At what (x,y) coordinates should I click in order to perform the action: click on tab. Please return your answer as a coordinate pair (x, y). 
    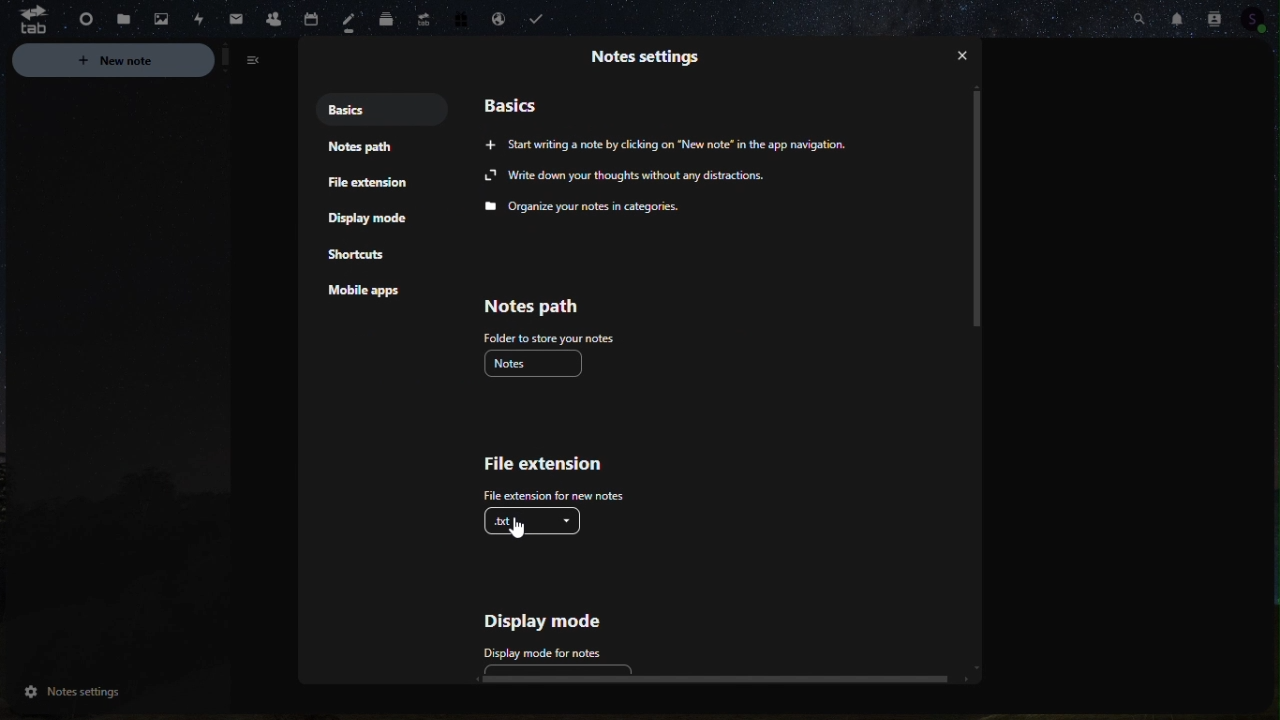
    Looking at the image, I should click on (26, 20).